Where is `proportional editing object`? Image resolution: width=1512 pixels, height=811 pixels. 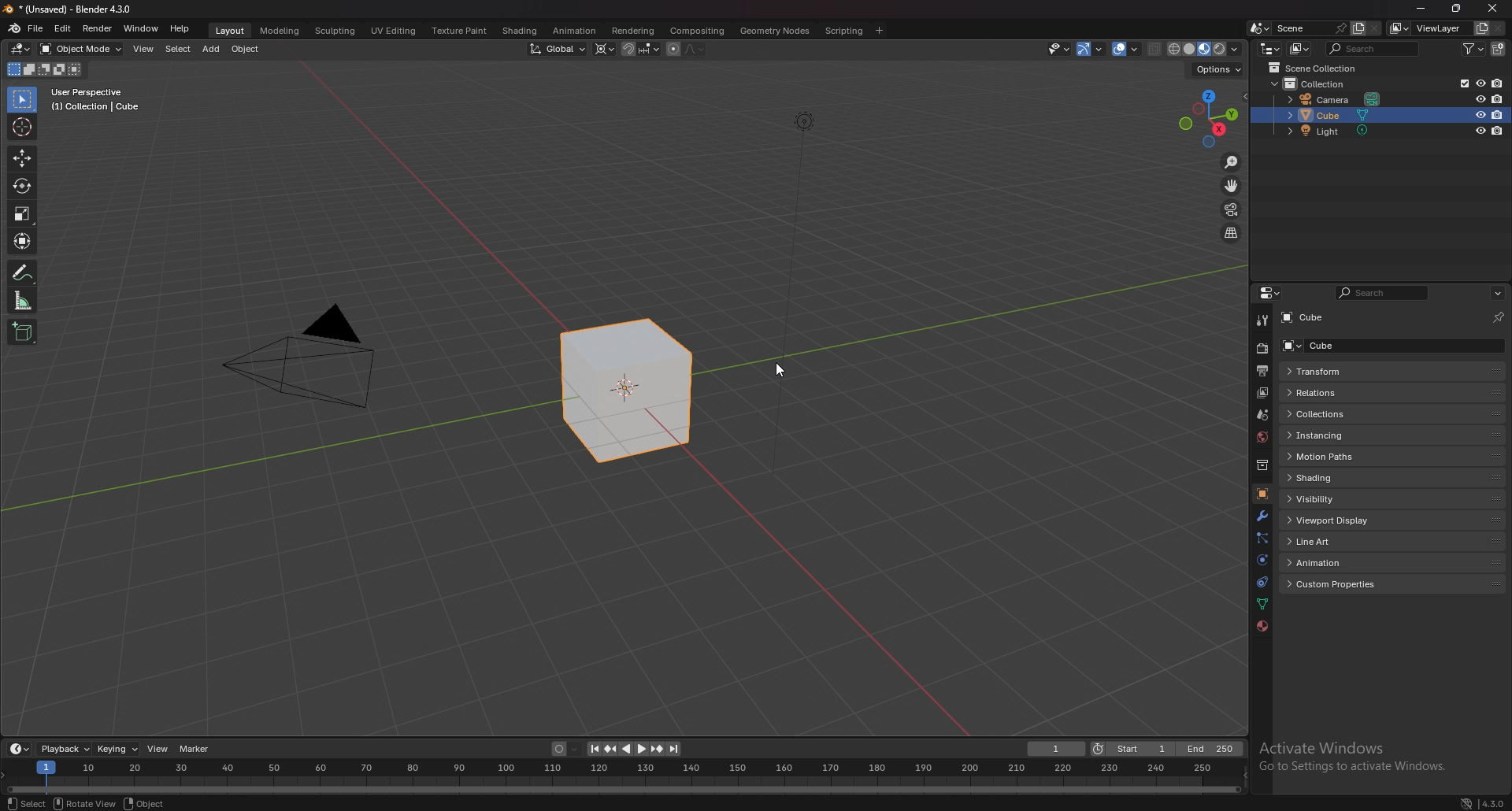 proportional editing object is located at coordinates (674, 50).